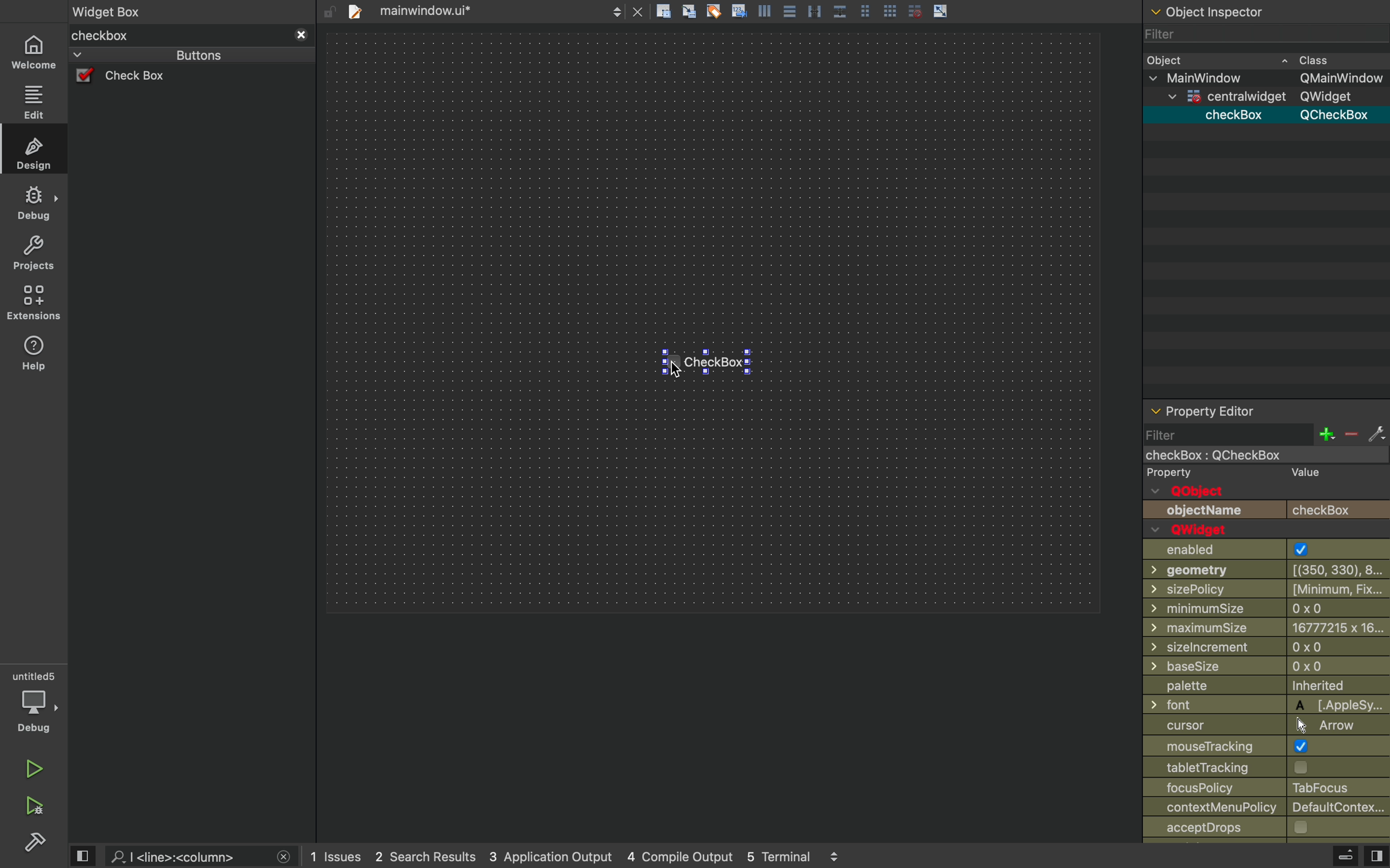 This screenshot has width=1390, height=868. I want to click on palette, so click(1265, 687).